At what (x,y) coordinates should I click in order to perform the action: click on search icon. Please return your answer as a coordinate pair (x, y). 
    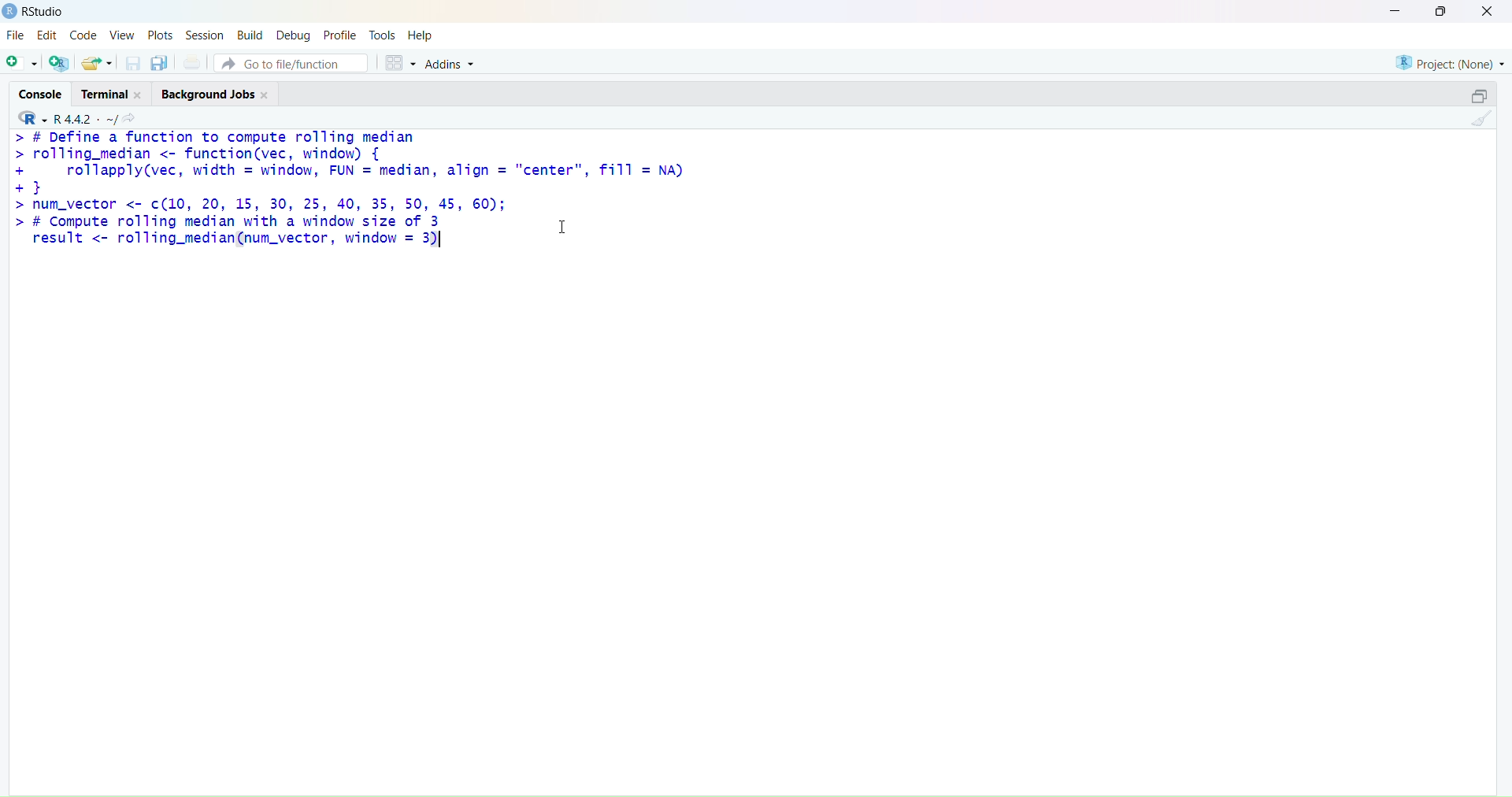
    Looking at the image, I should click on (130, 117).